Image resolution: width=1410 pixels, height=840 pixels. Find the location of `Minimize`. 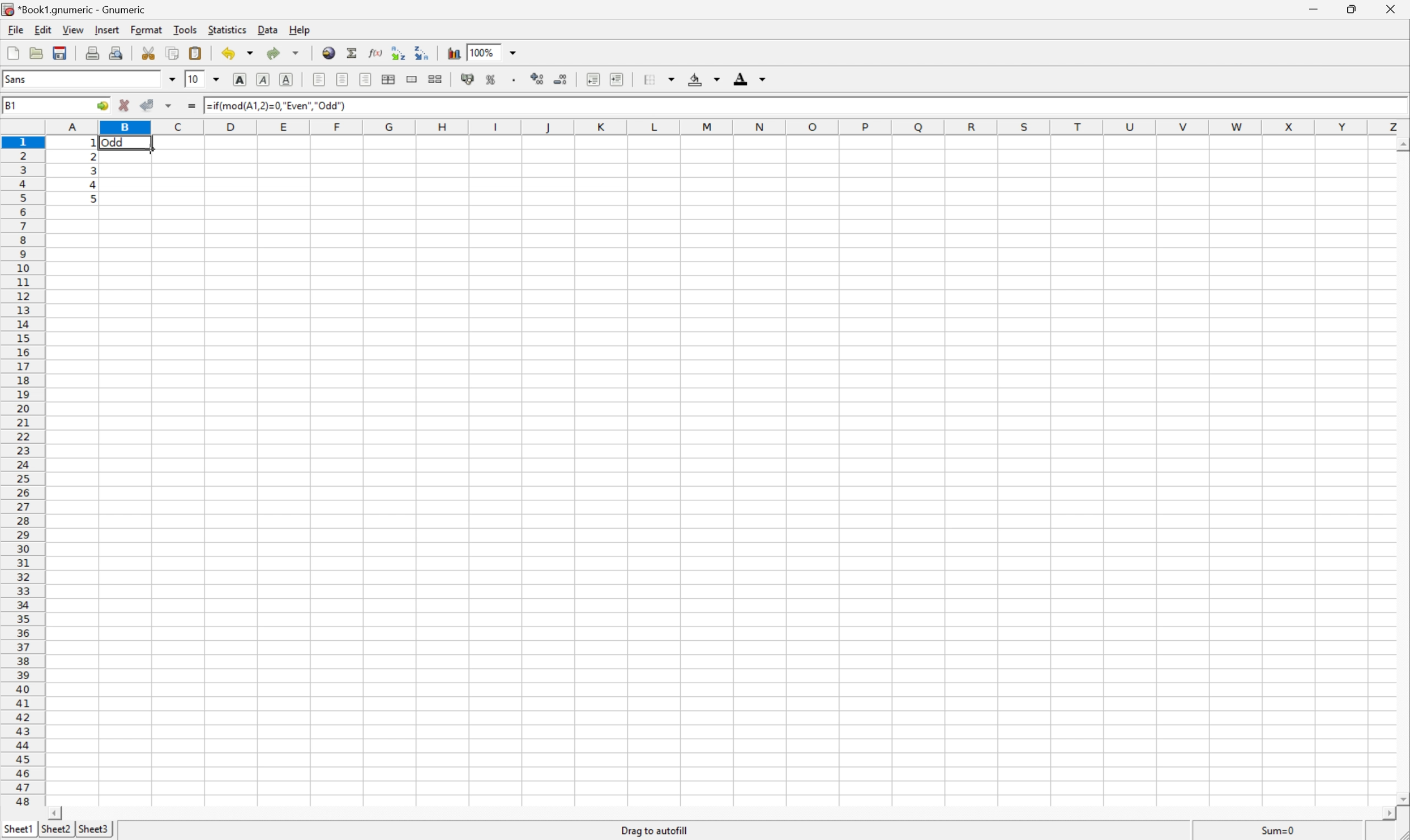

Minimize is located at coordinates (1316, 8).